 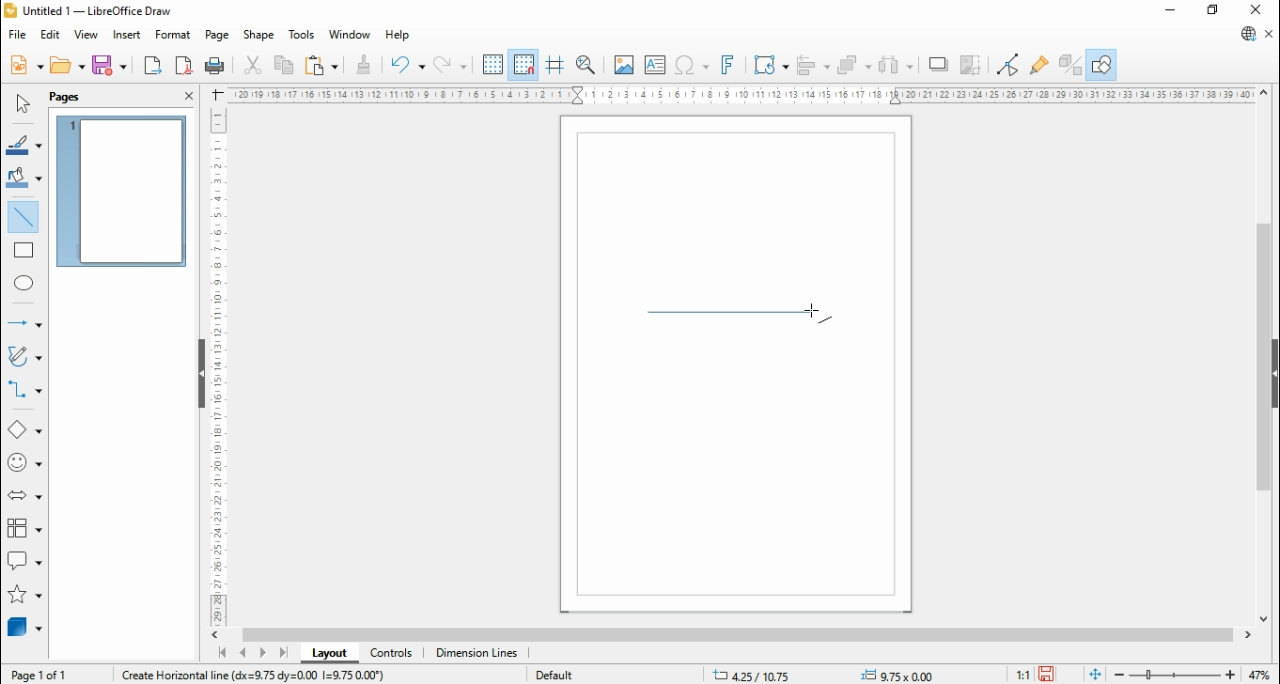 What do you see at coordinates (477, 654) in the screenshot?
I see `dimension lines` at bounding box center [477, 654].